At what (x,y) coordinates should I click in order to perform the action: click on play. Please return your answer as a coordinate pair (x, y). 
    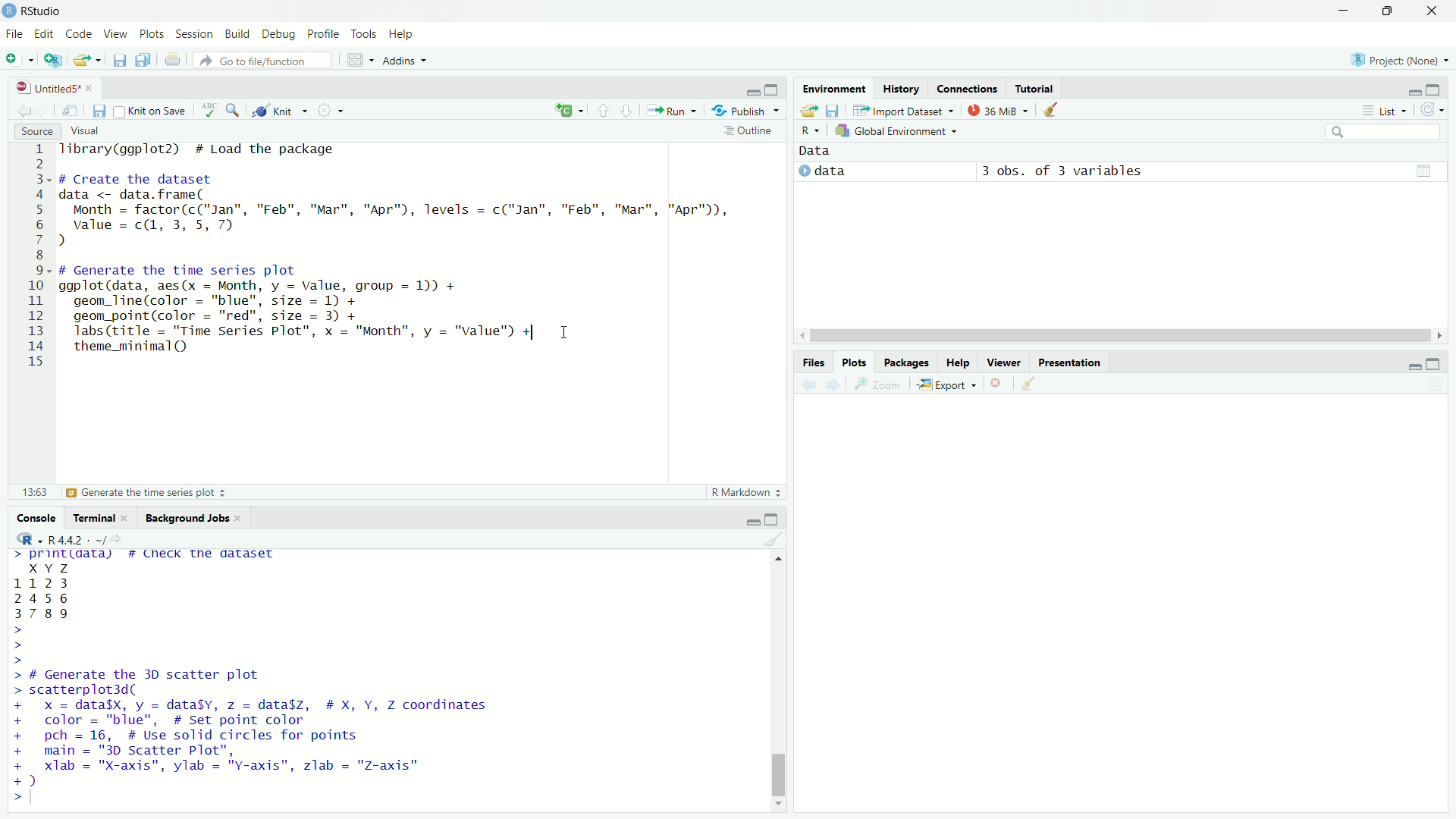
    Looking at the image, I should click on (804, 172).